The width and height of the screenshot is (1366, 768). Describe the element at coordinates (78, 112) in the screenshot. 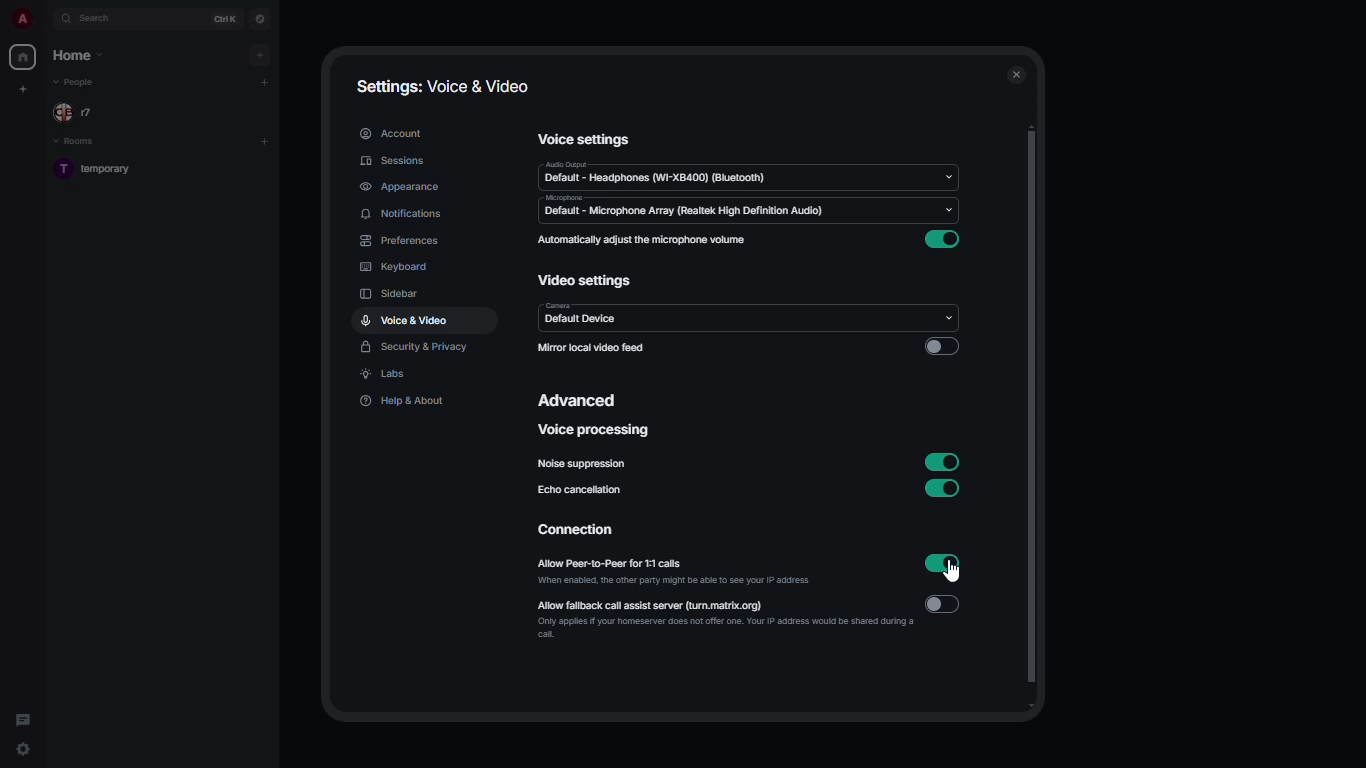

I see `people` at that location.